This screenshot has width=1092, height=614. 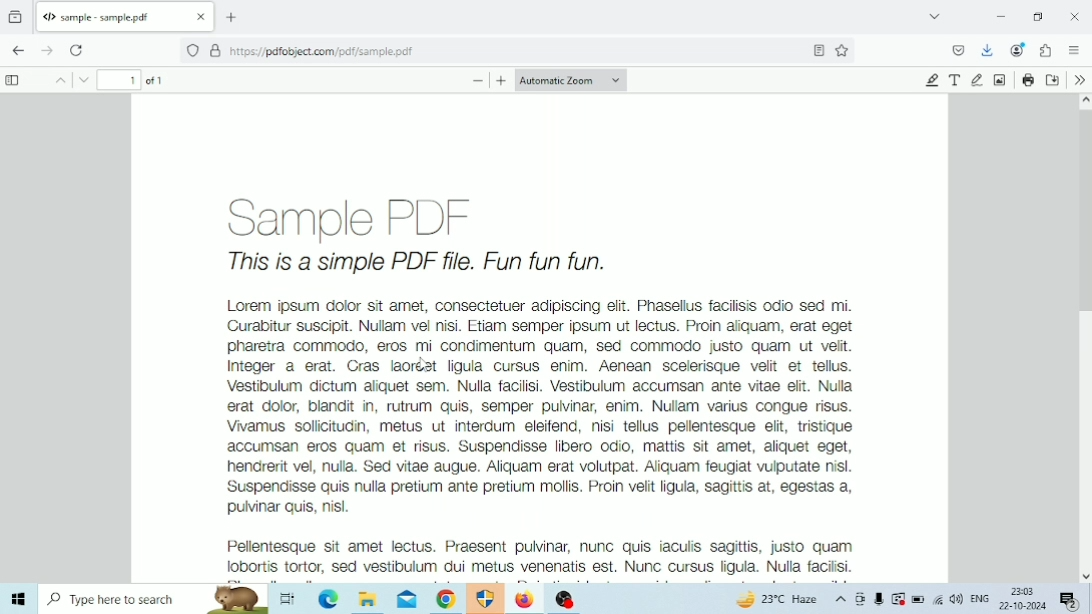 What do you see at coordinates (159, 80) in the screenshot?
I see `Total page number` at bounding box center [159, 80].